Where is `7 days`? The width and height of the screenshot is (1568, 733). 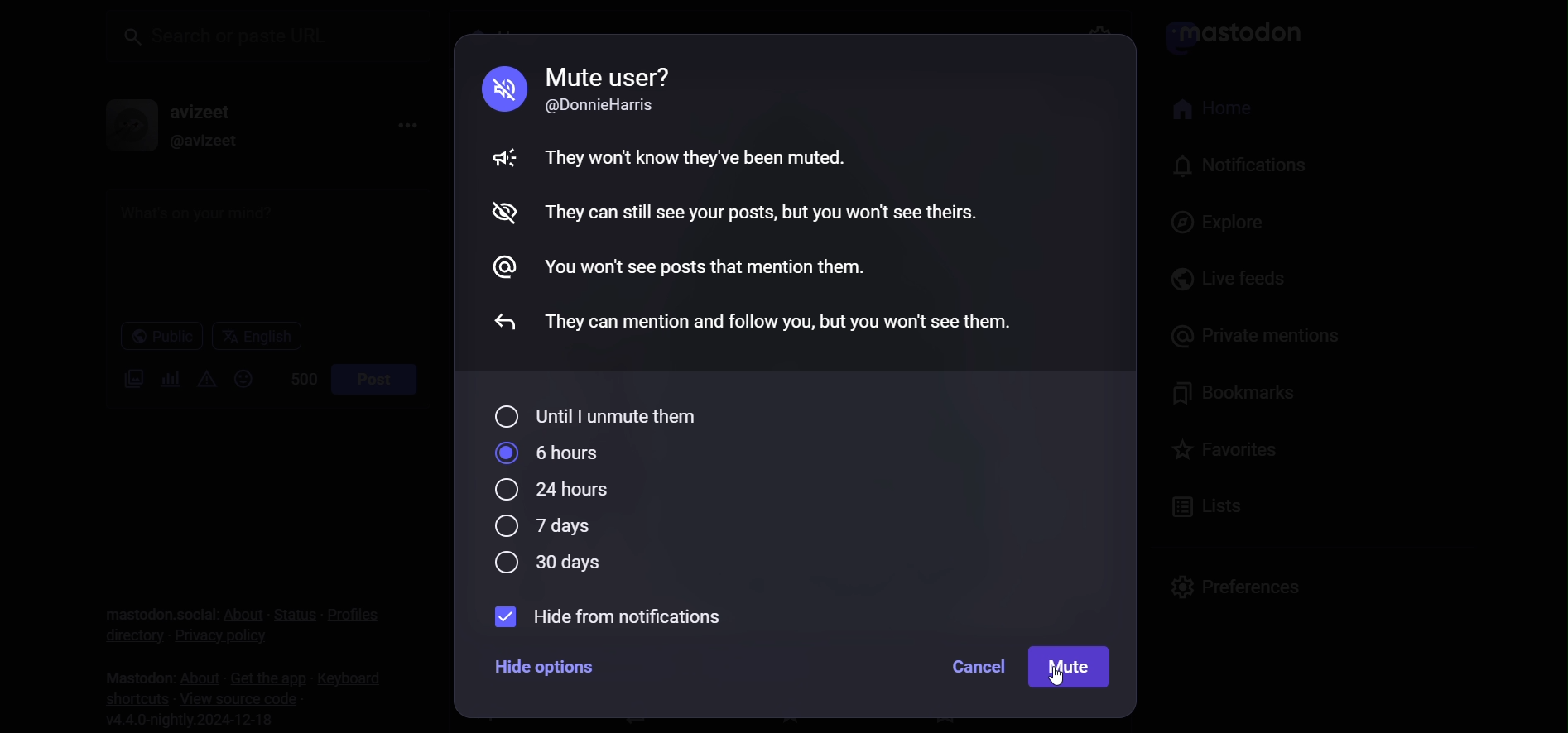 7 days is located at coordinates (541, 525).